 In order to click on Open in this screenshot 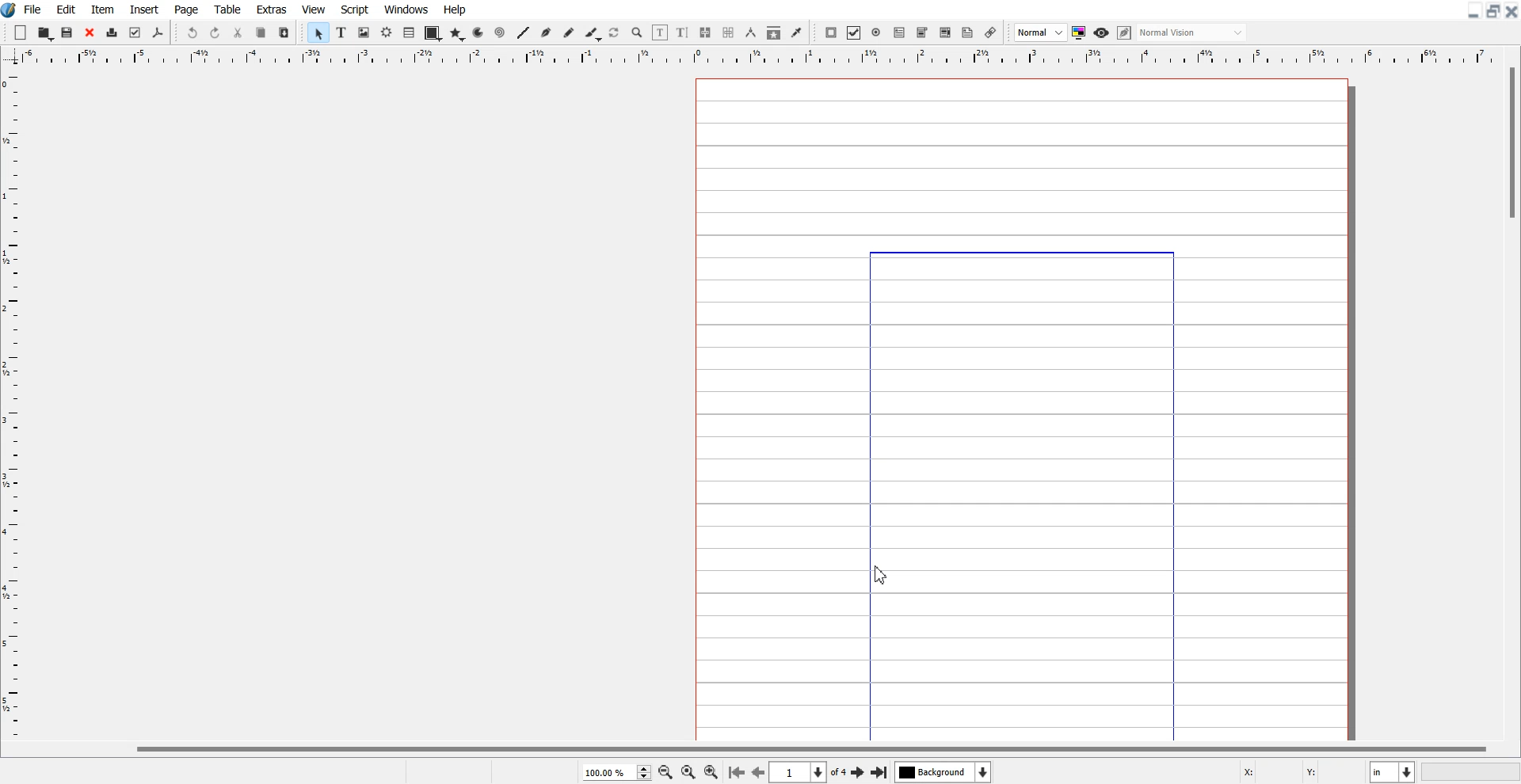, I will do `click(44, 33)`.